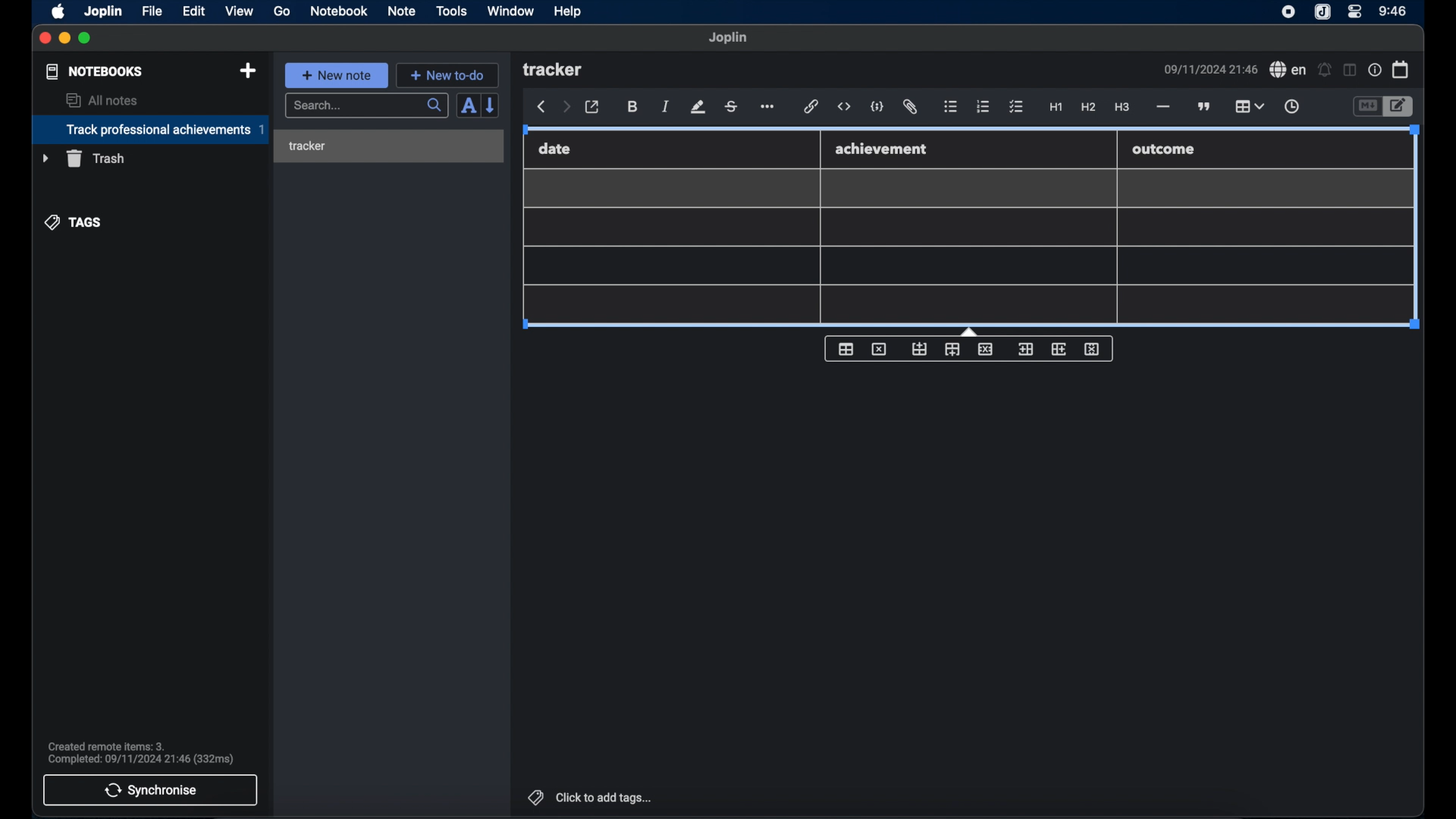 This screenshot has height=819, width=1456. I want to click on toggle editor, so click(1399, 106).